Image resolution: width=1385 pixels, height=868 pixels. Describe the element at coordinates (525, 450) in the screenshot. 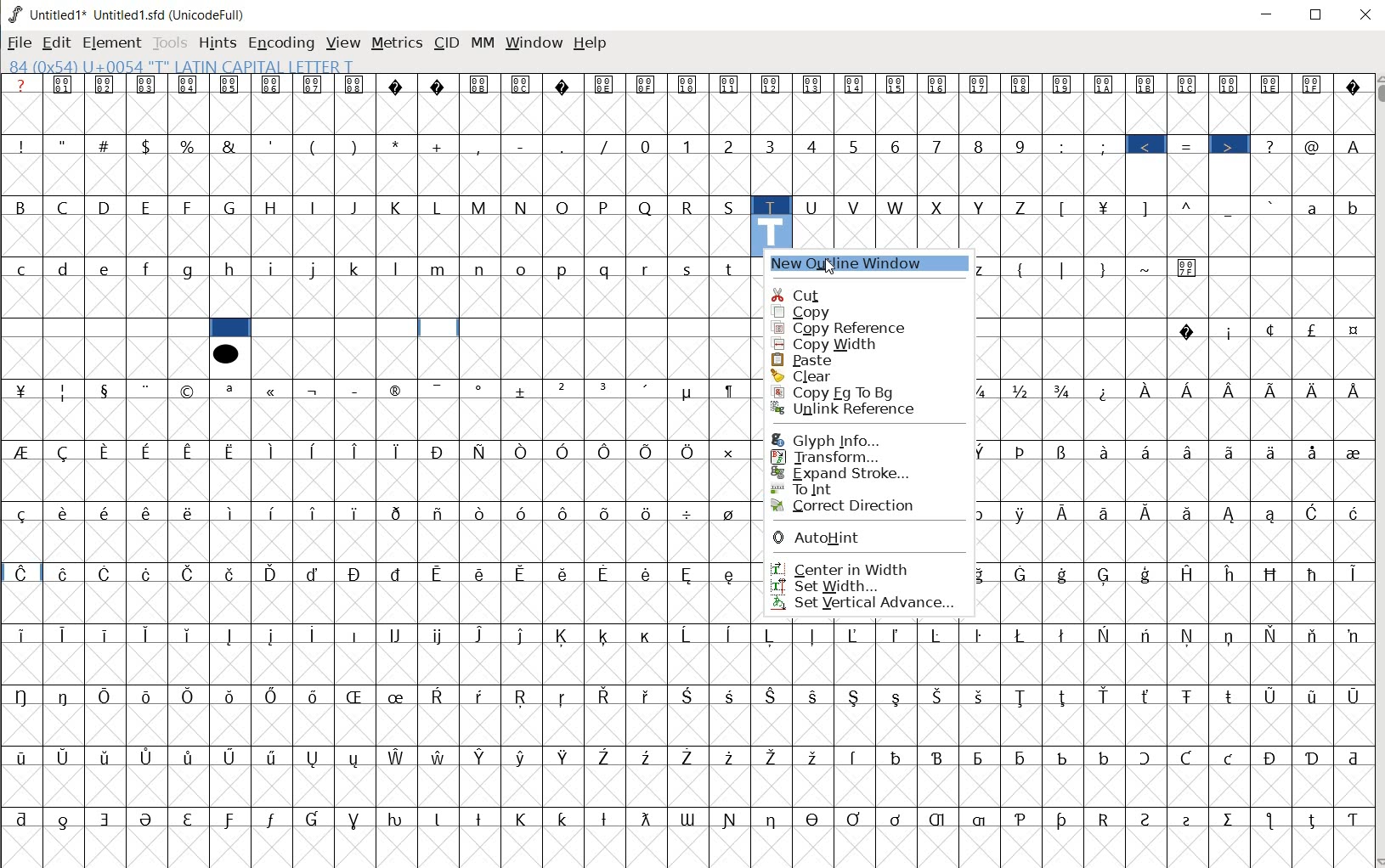

I see `Symbol` at that location.